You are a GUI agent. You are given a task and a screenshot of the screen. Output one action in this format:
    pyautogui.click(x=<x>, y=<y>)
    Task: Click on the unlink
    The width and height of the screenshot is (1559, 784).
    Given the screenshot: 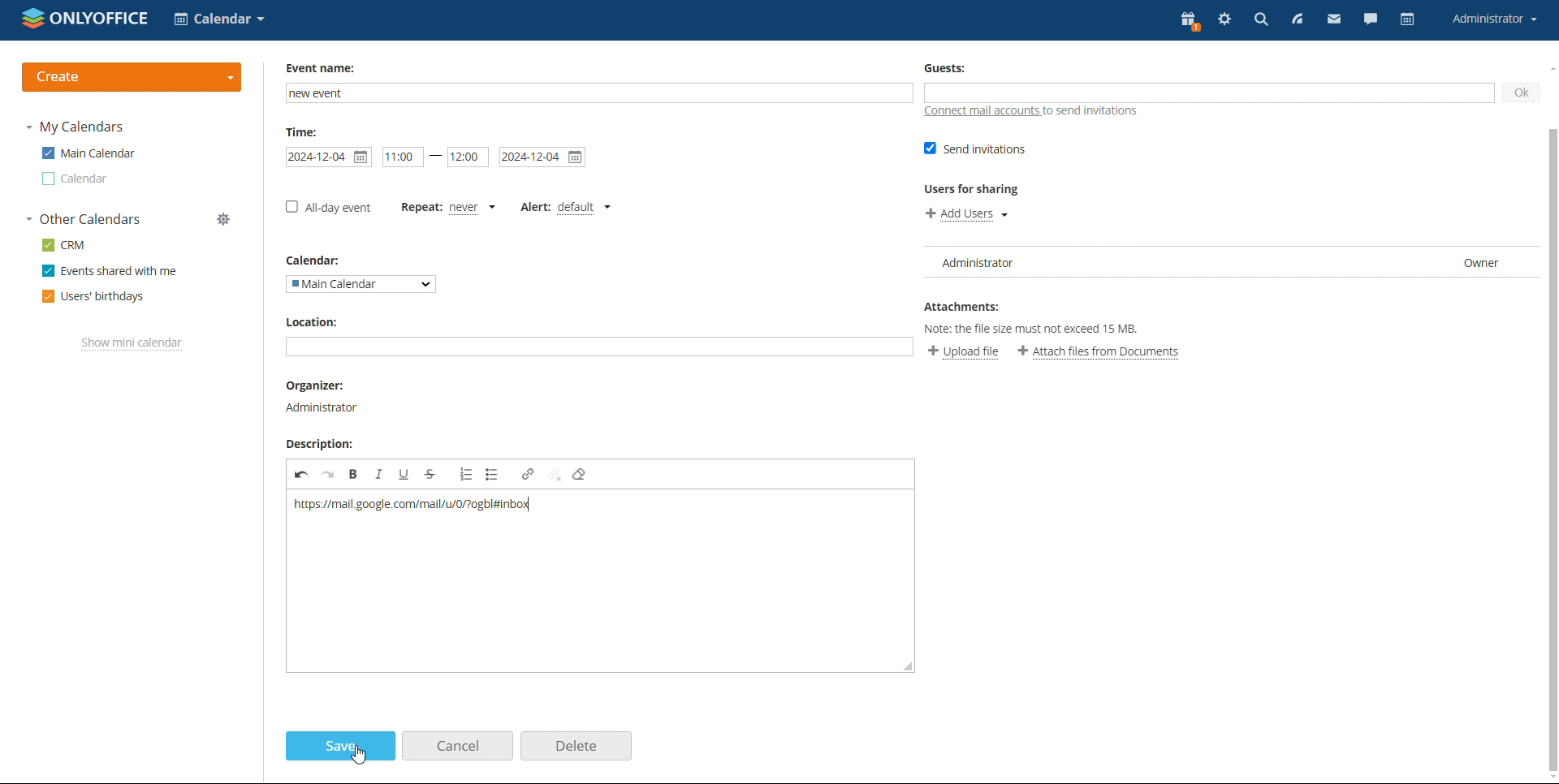 What is the action you would take?
    pyautogui.click(x=554, y=475)
    